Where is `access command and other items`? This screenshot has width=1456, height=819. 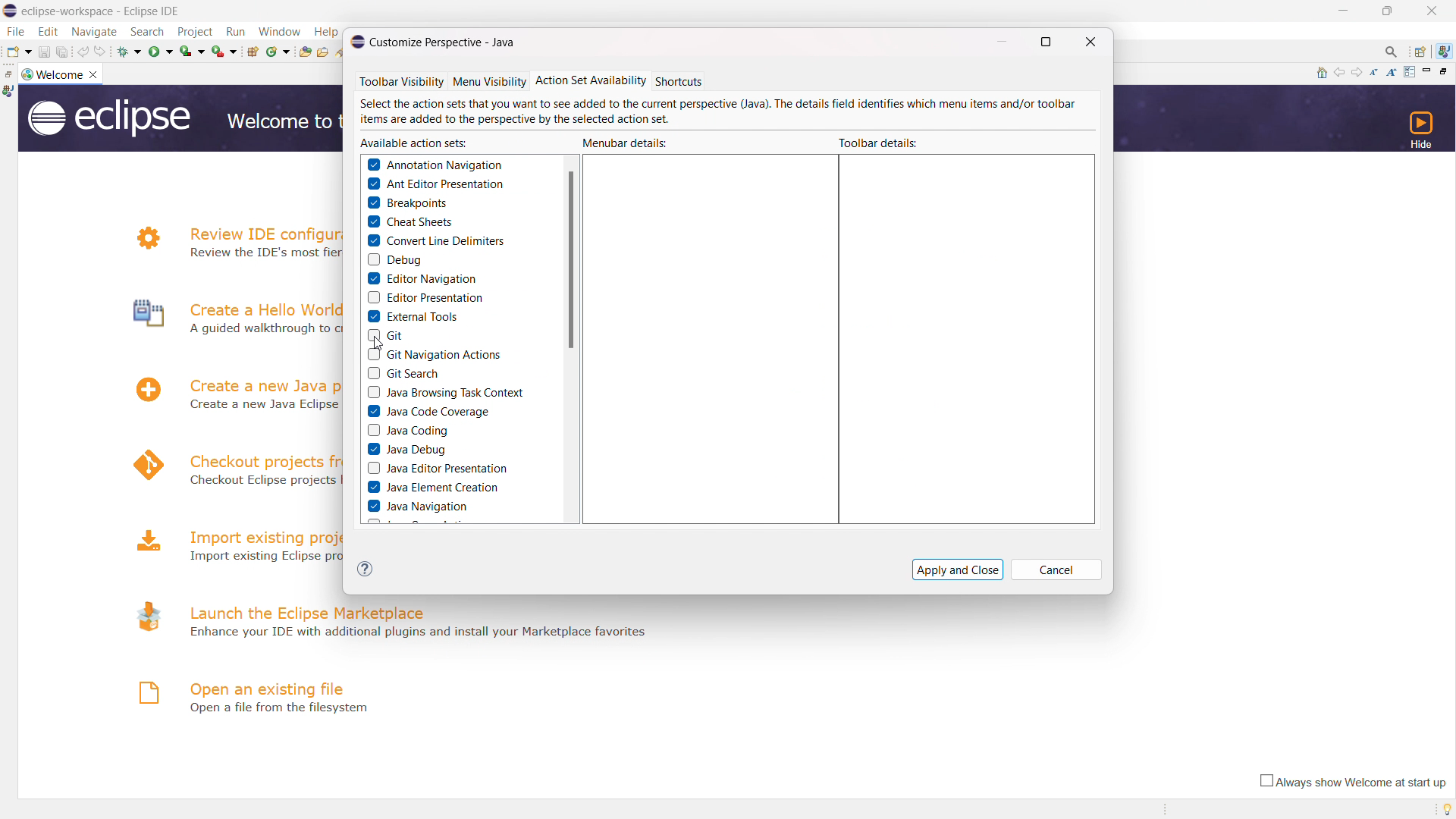 access command and other items is located at coordinates (1392, 52).